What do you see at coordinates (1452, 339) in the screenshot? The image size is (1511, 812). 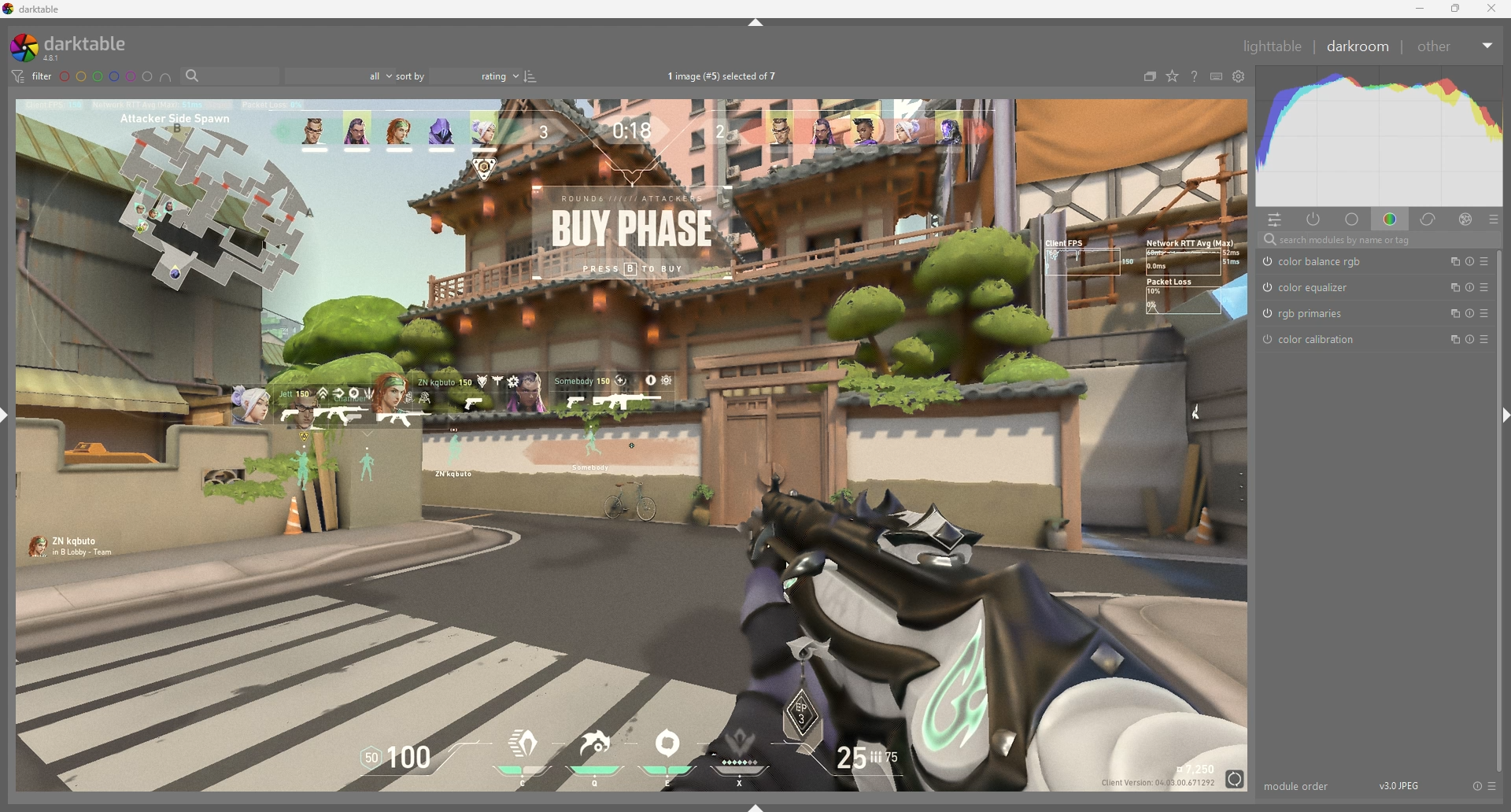 I see `multiple instances action` at bounding box center [1452, 339].